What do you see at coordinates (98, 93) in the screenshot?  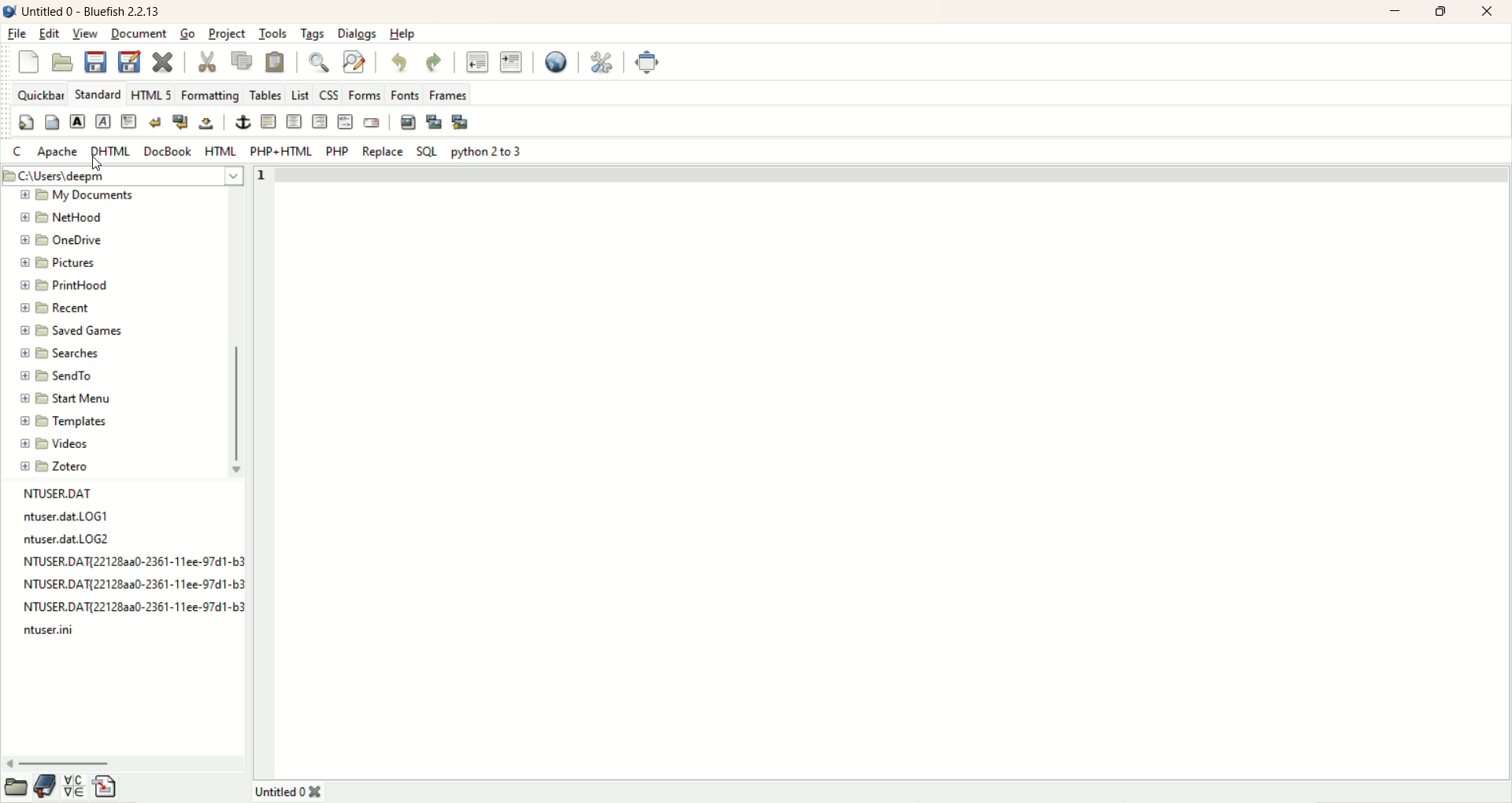 I see `Standard` at bounding box center [98, 93].